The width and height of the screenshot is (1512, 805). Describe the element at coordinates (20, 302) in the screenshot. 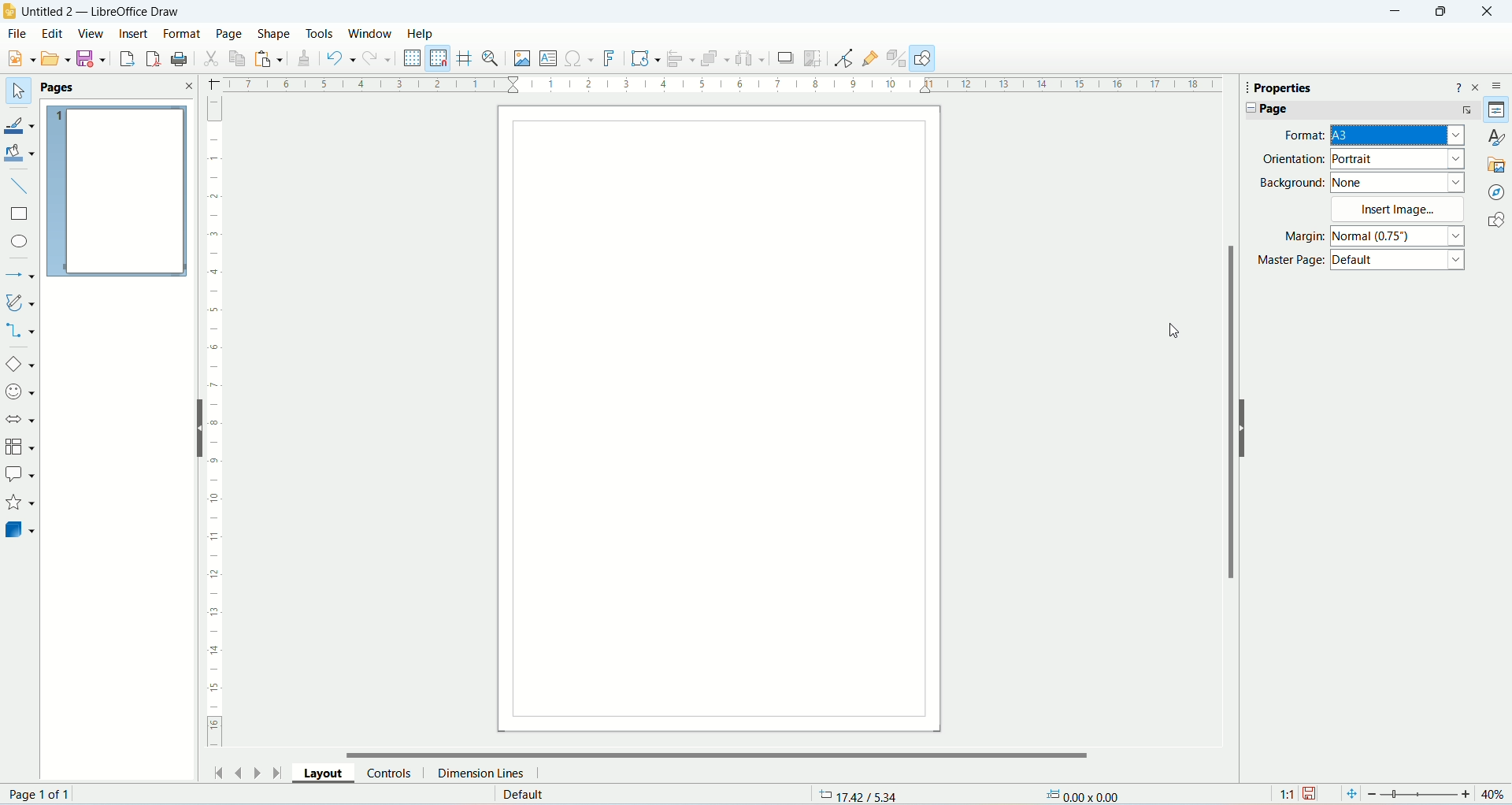

I see `curves and polygon` at that location.